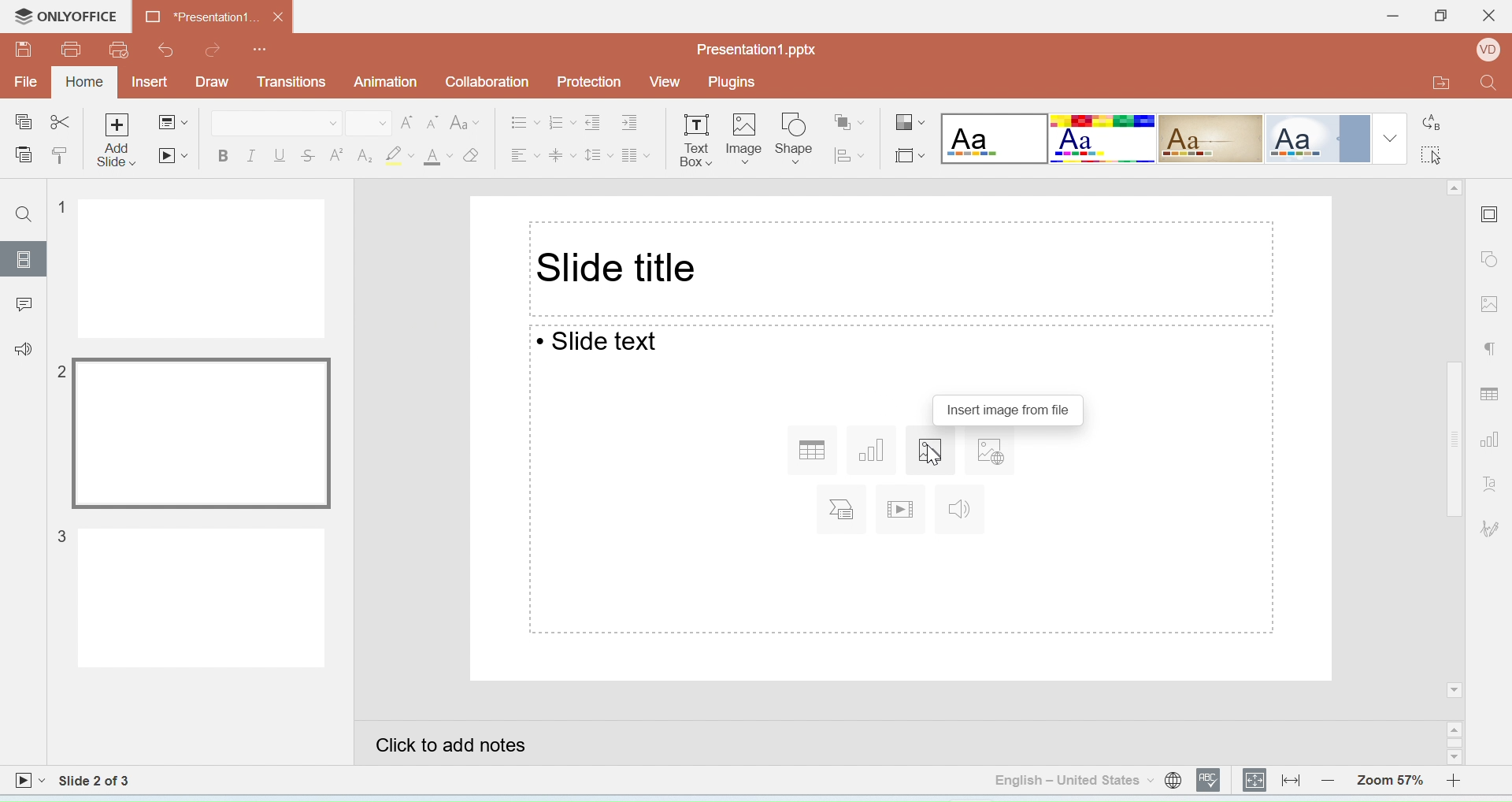 The image size is (1512, 802). I want to click on insert link, so click(987, 454).